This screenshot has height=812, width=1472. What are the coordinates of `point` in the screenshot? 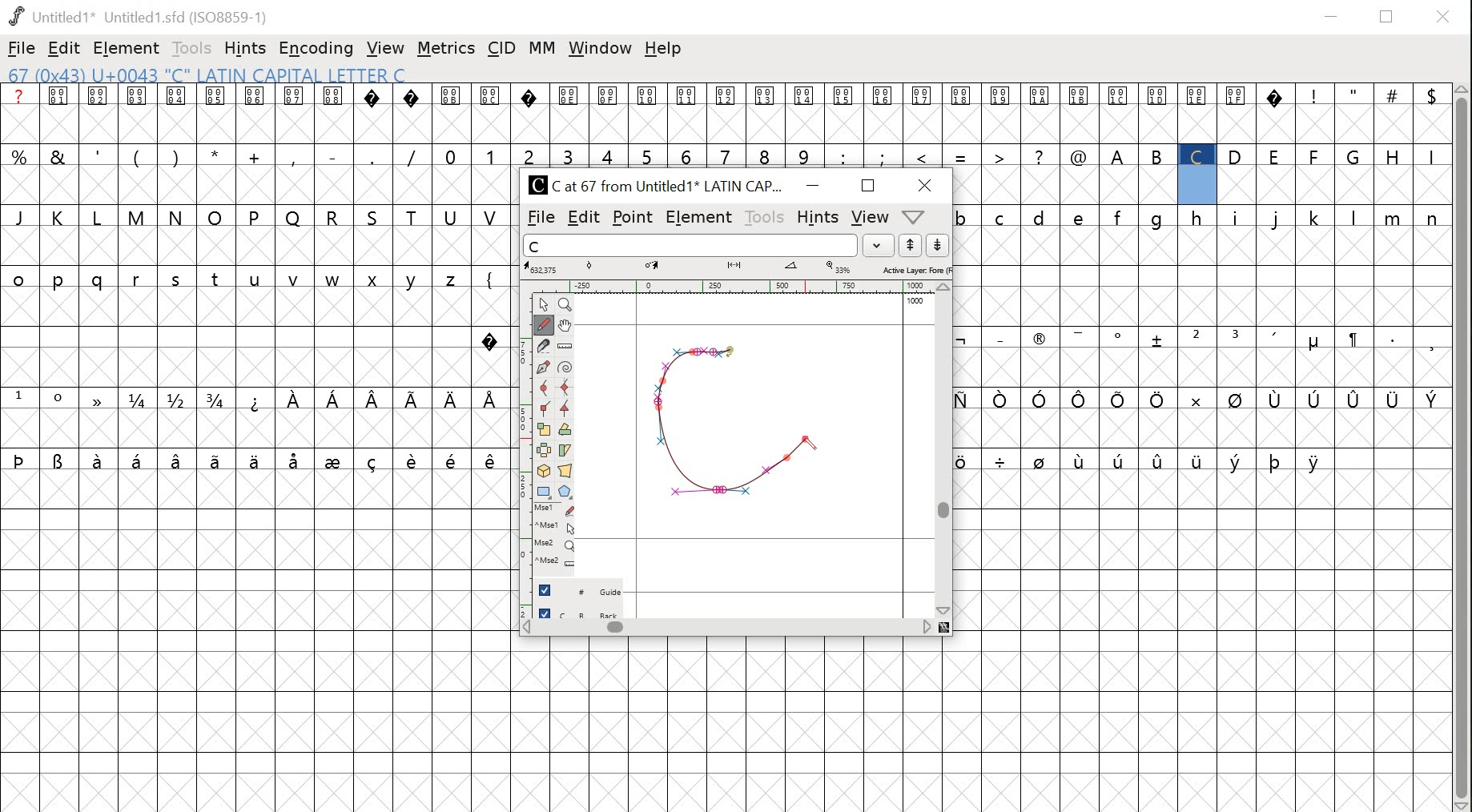 It's located at (546, 303).